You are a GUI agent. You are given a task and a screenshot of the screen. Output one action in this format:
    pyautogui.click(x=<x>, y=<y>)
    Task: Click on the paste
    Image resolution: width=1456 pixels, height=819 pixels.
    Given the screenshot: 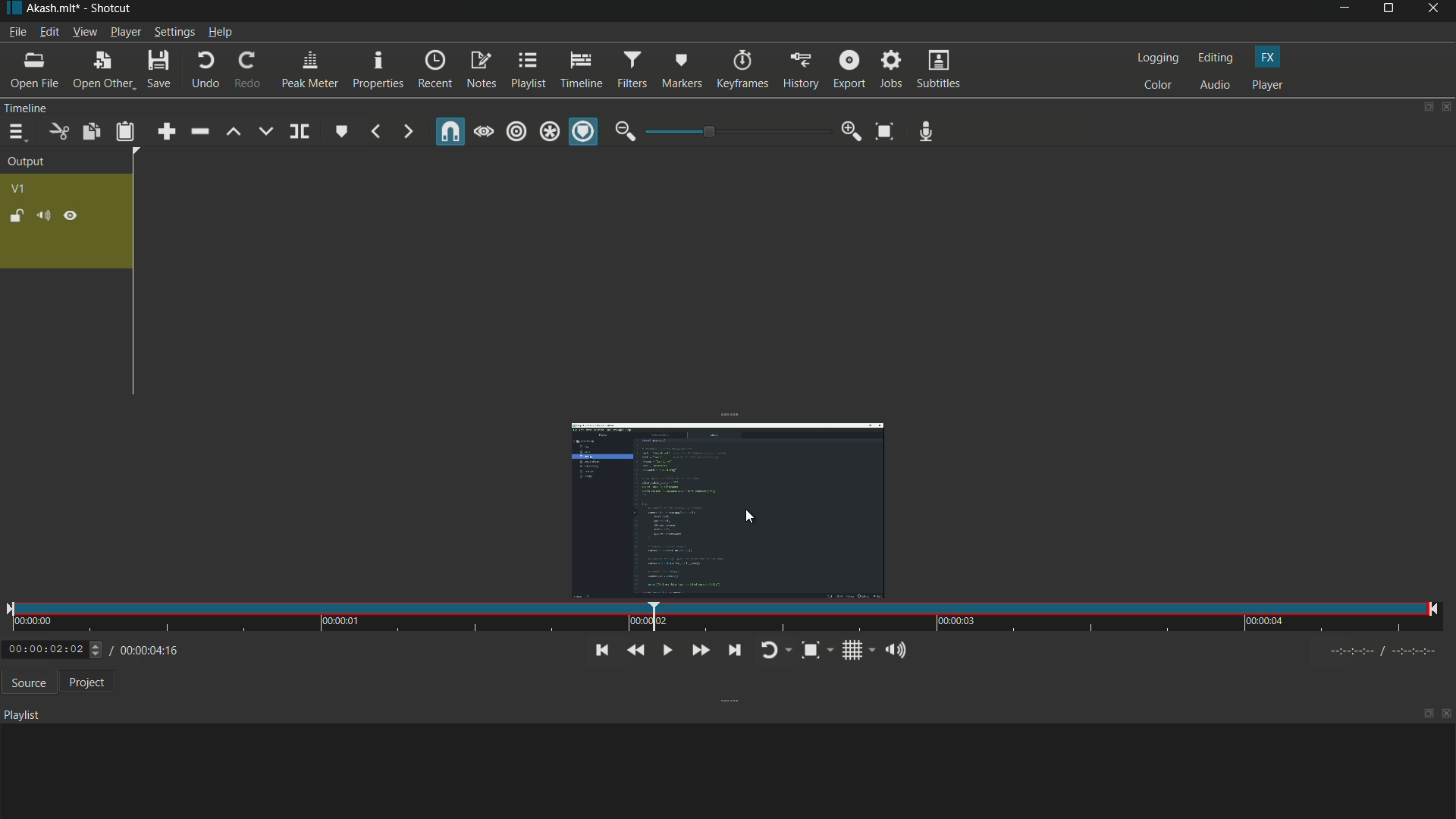 What is the action you would take?
    pyautogui.click(x=125, y=133)
    